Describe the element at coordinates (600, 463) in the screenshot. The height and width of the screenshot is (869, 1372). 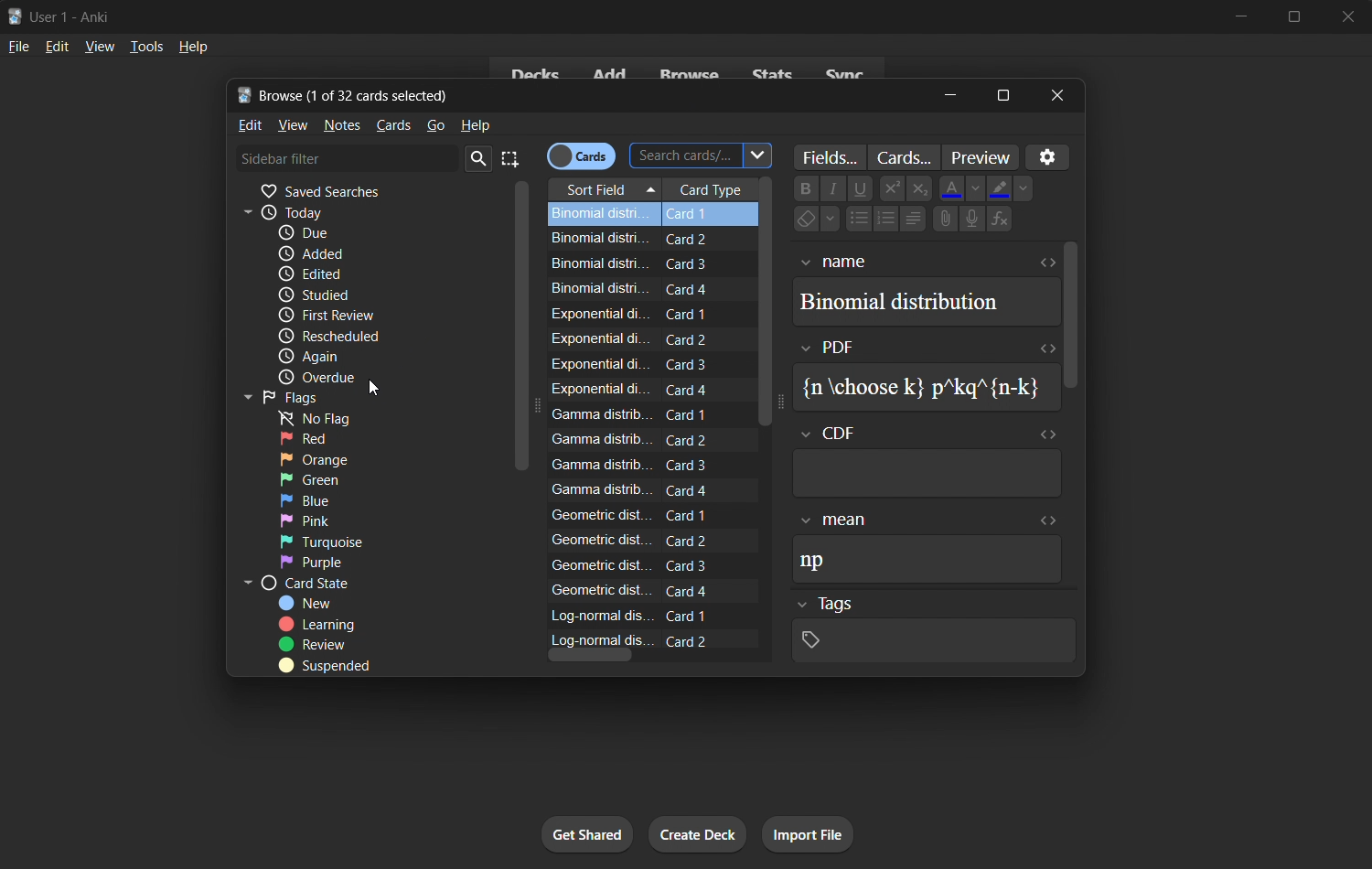
I see `Gamma distrib.` at that location.